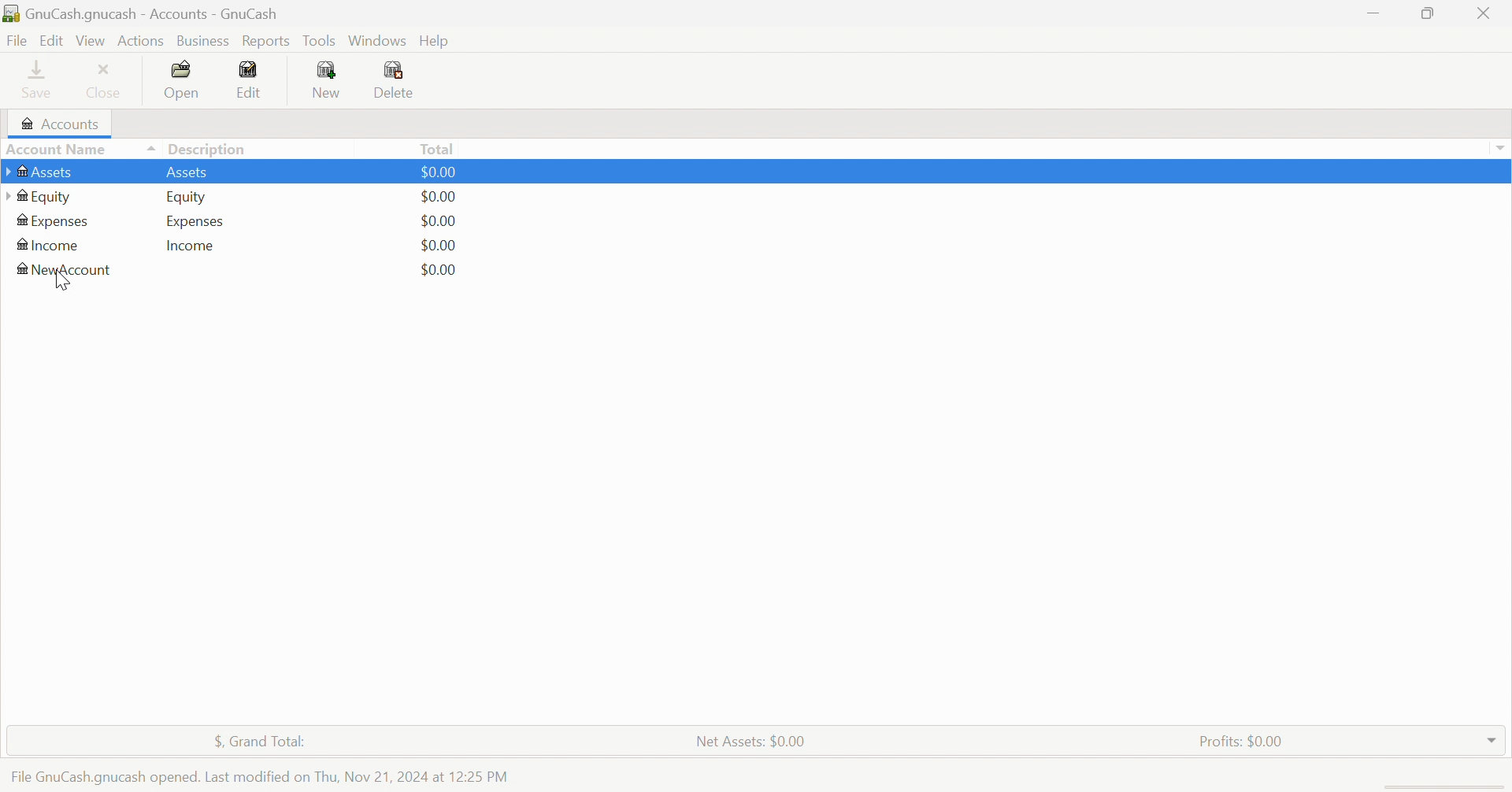 The height and width of the screenshot is (792, 1512). Describe the element at coordinates (376, 39) in the screenshot. I see `Windows` at that location.